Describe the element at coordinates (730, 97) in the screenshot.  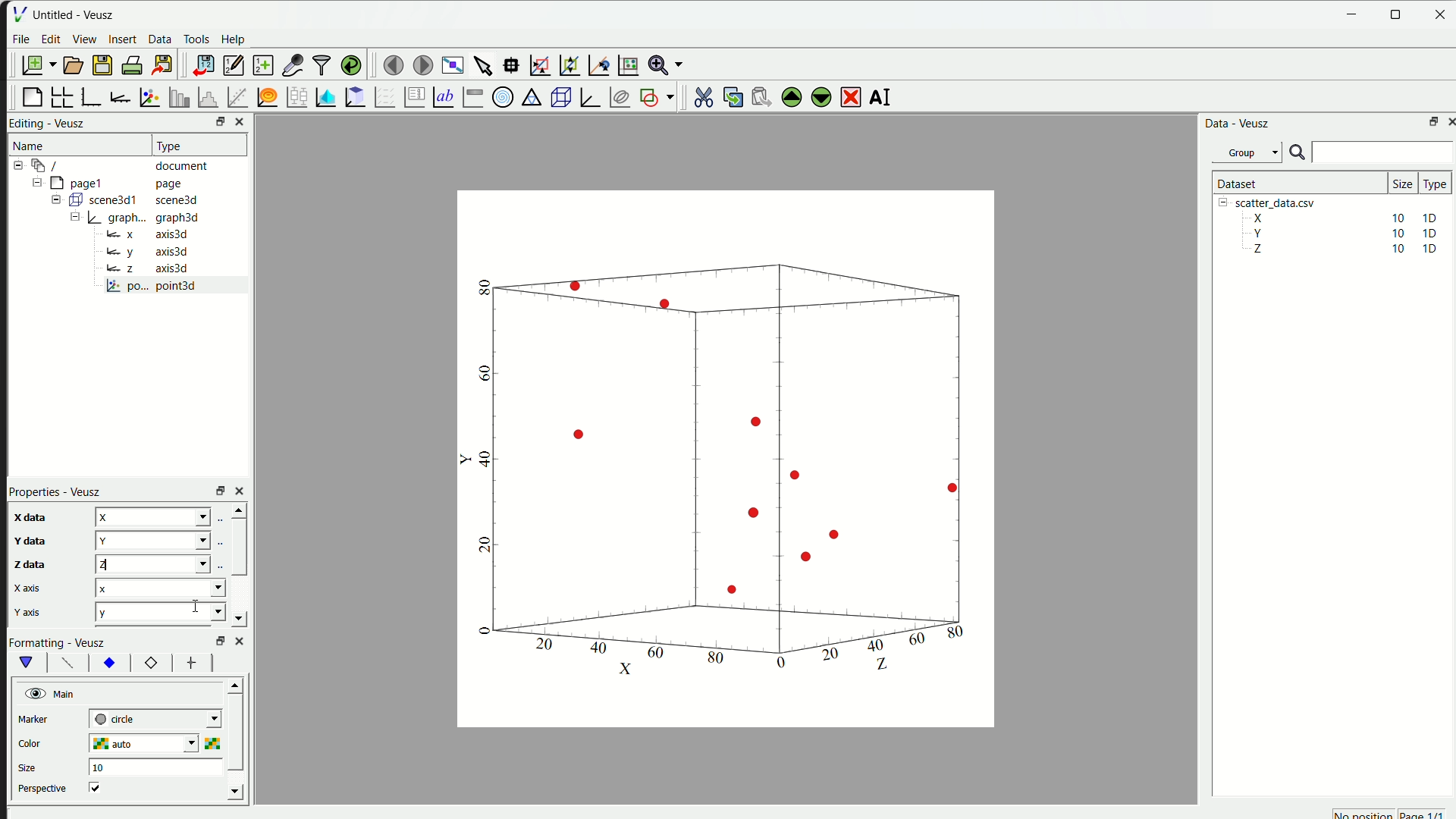
I see `copy the widget` at that location.